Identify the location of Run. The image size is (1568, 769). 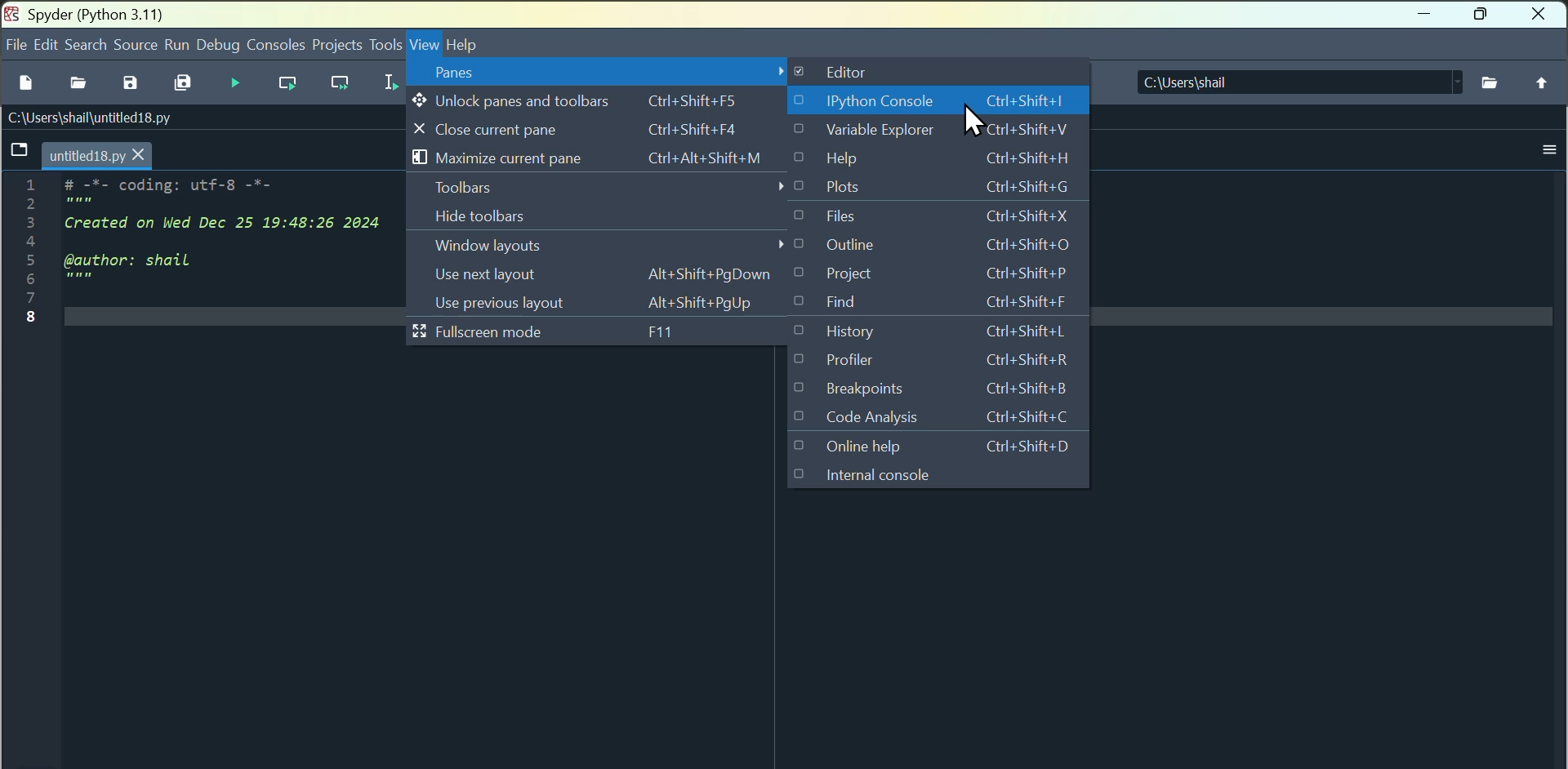
(176, 43).